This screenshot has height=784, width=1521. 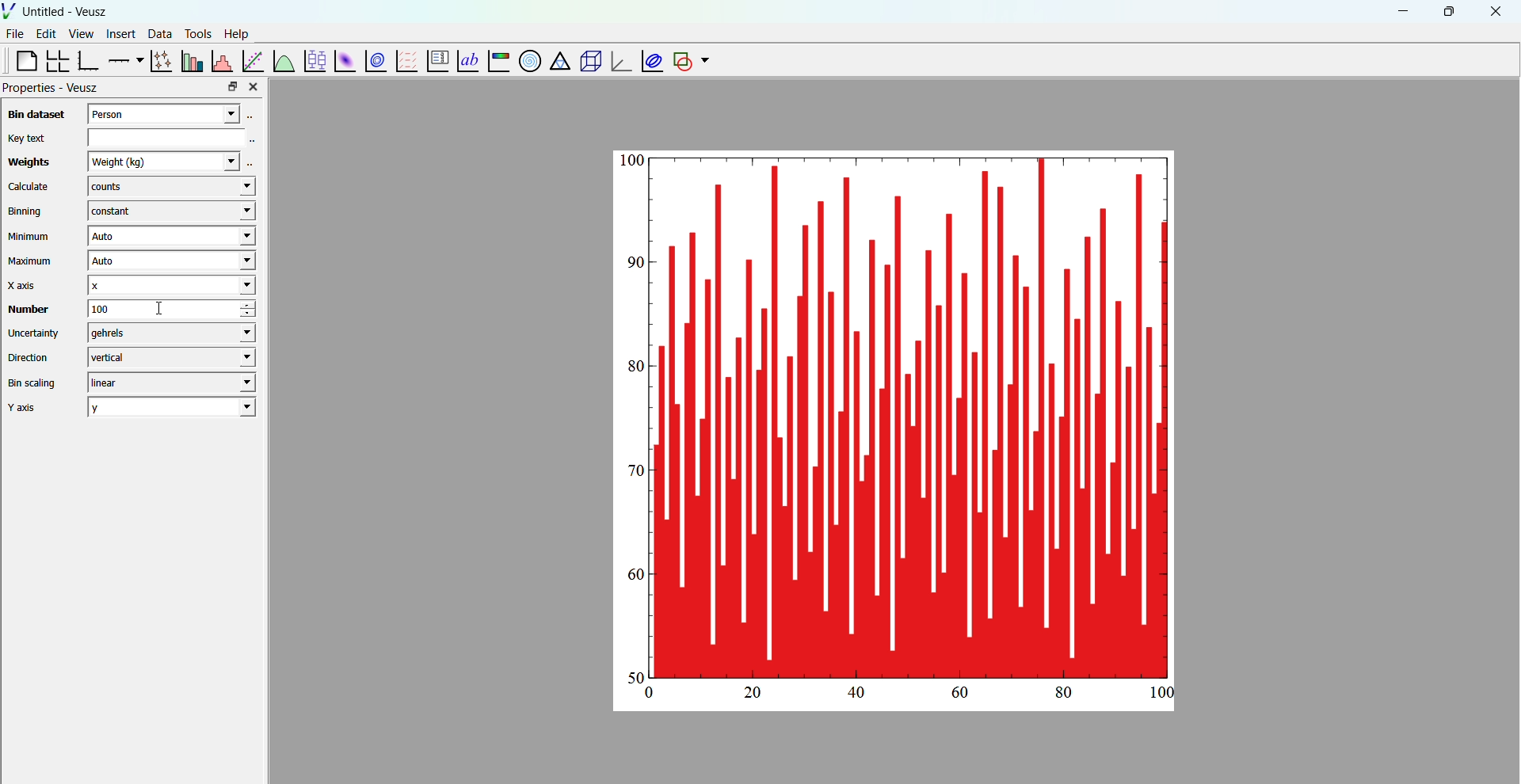 What do you see at coordinates (26, 285) in the screenshot?
I see `X axis` at bounding box center [26, 285].